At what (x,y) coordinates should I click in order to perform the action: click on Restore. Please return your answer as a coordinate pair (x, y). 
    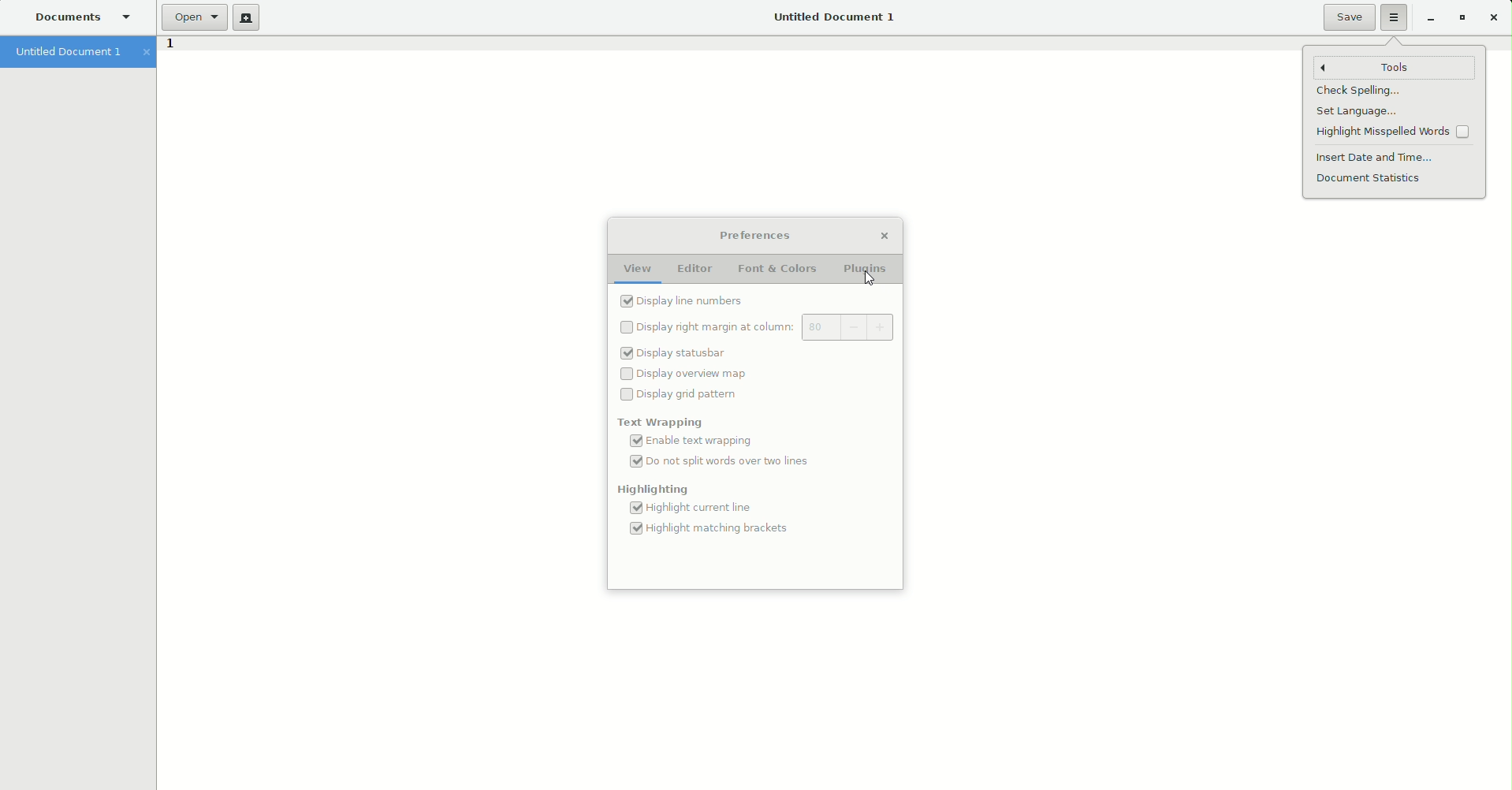
    Looking at the image, I should click on (1426, 20).